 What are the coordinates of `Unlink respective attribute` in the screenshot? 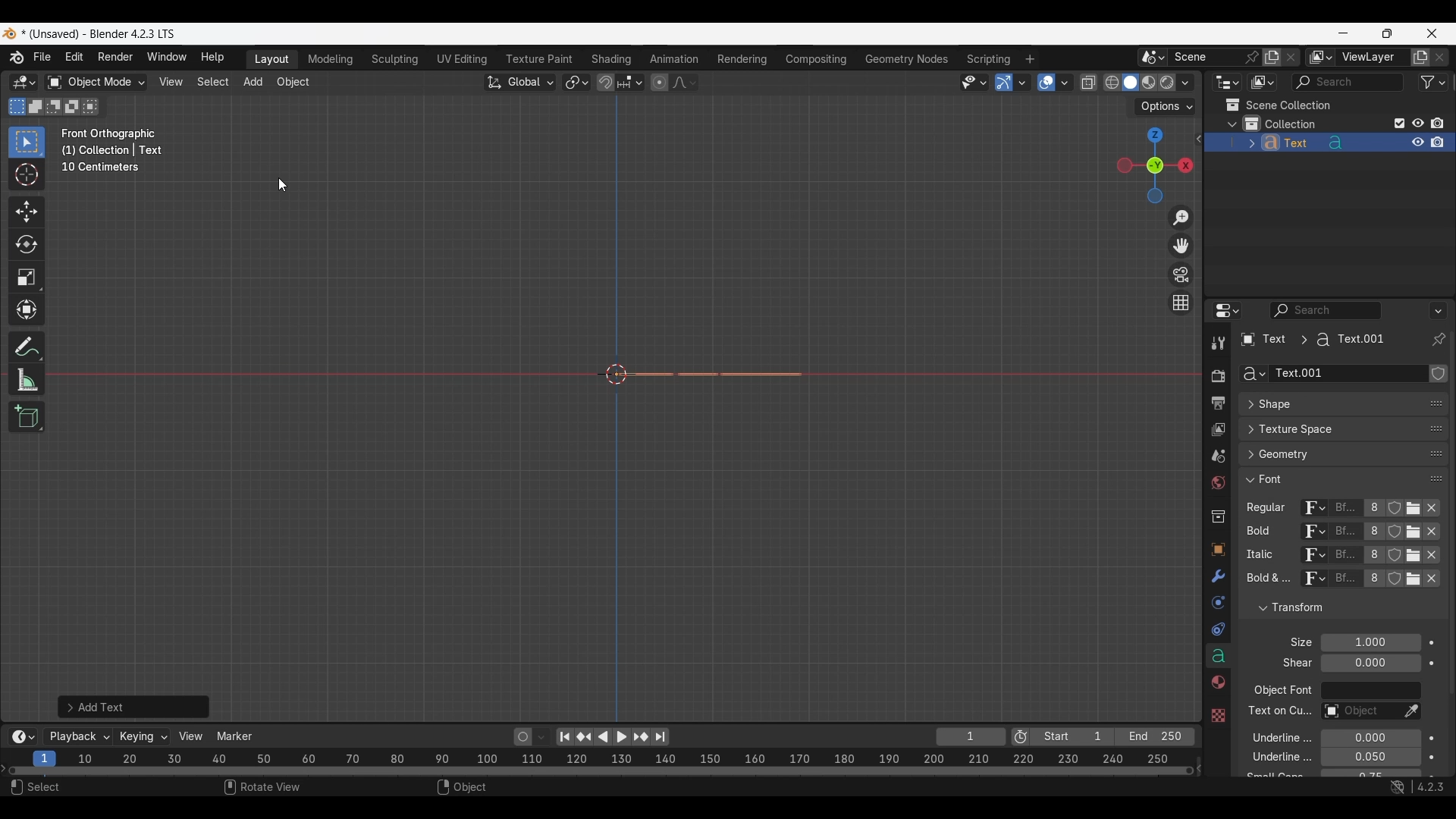 It's located at (1432, 544).